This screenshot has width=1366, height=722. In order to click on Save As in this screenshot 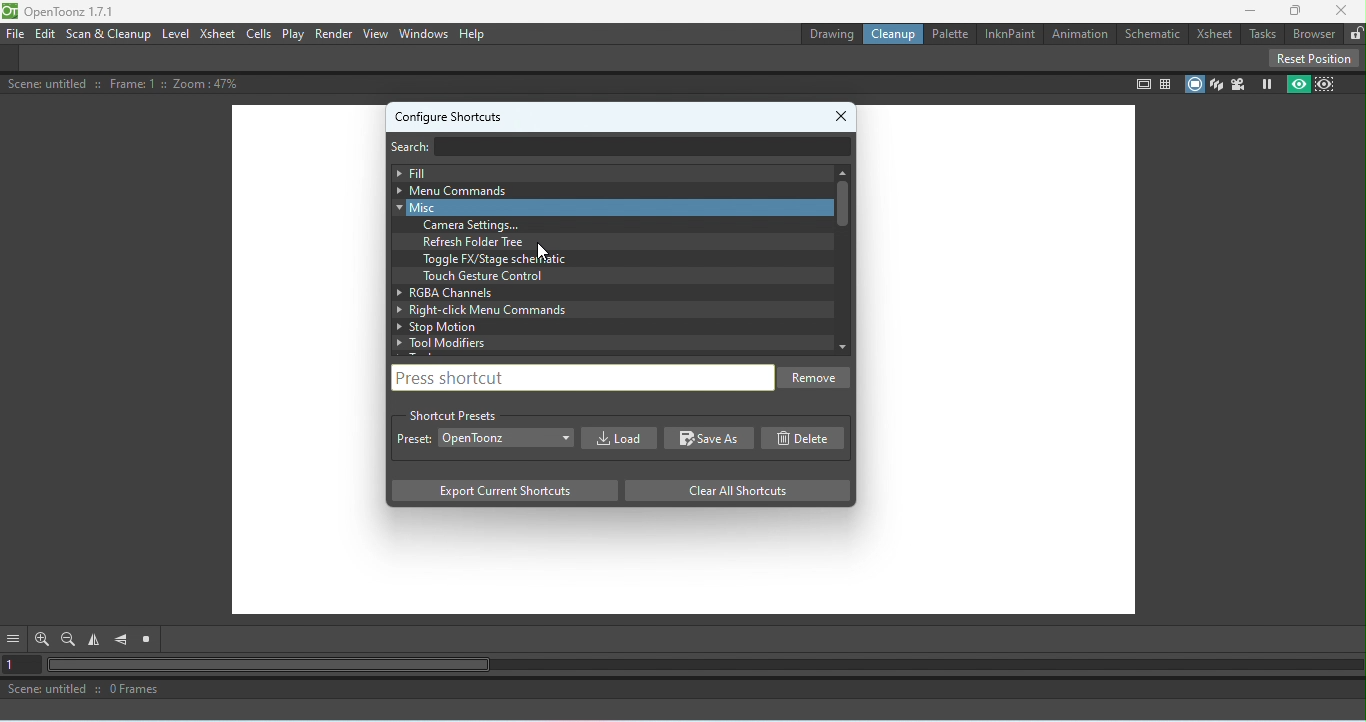, I will do `click(710, 439)`.